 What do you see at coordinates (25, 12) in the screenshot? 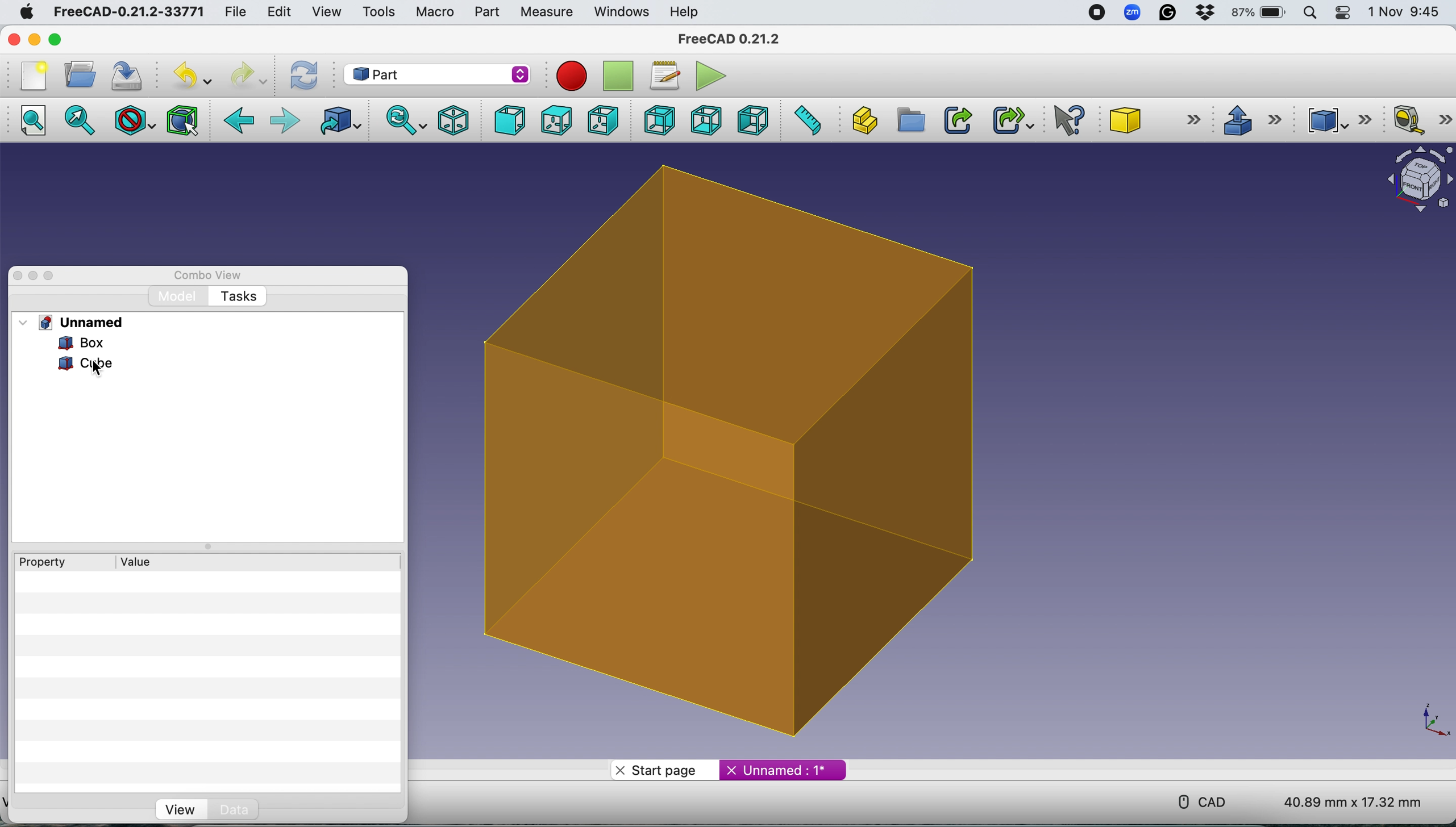
I see `System logo` at bounding box center [25, 12].